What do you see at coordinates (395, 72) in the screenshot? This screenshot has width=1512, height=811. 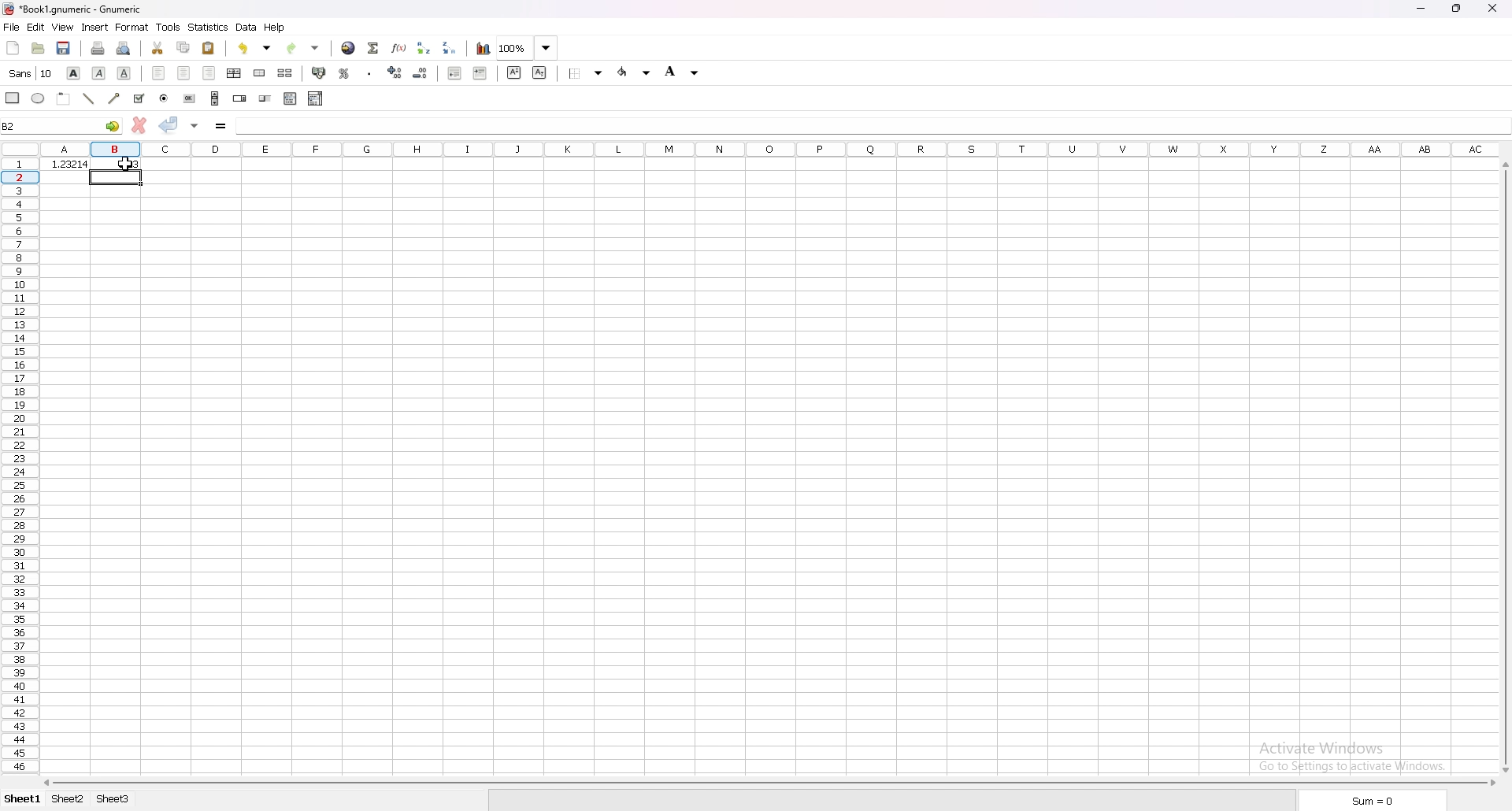 I see `increase decimals` at bounding box center [395, 72].